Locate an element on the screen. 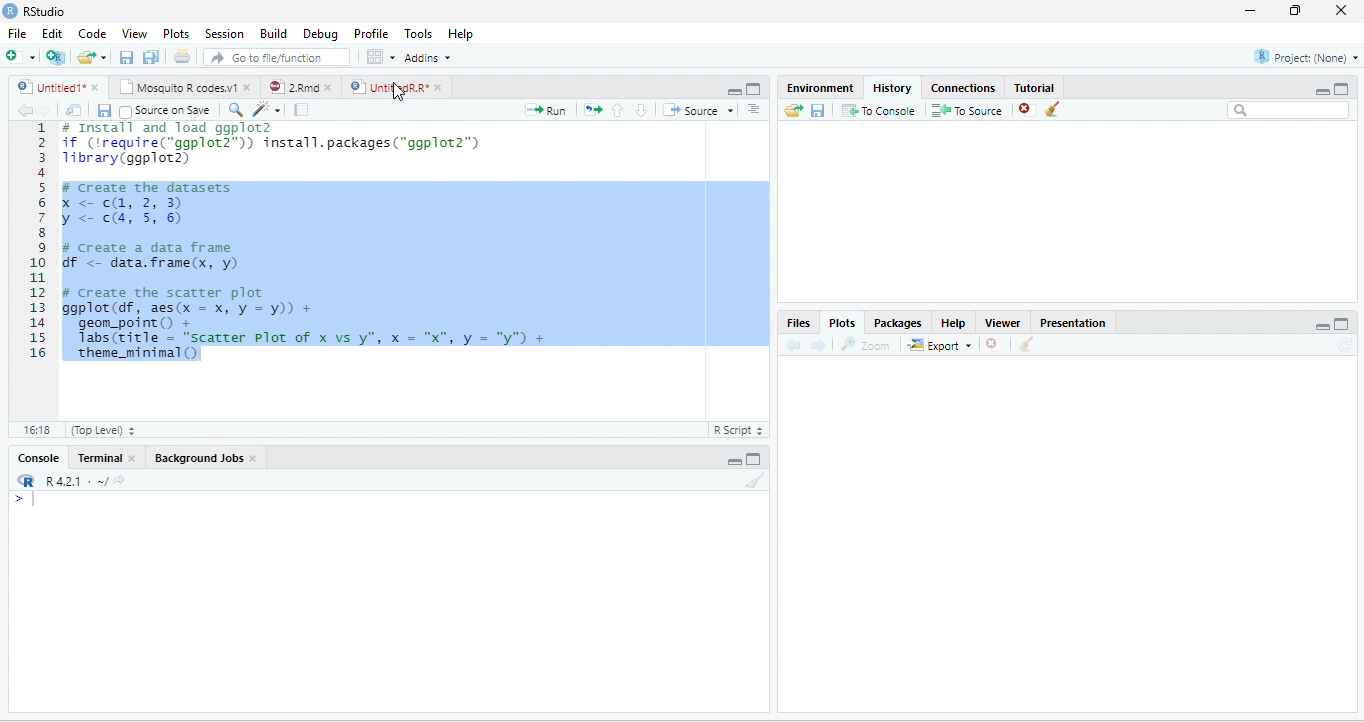 The width and height of the screenshot is (1364, 722). Source is located at coordinates (697, 110).